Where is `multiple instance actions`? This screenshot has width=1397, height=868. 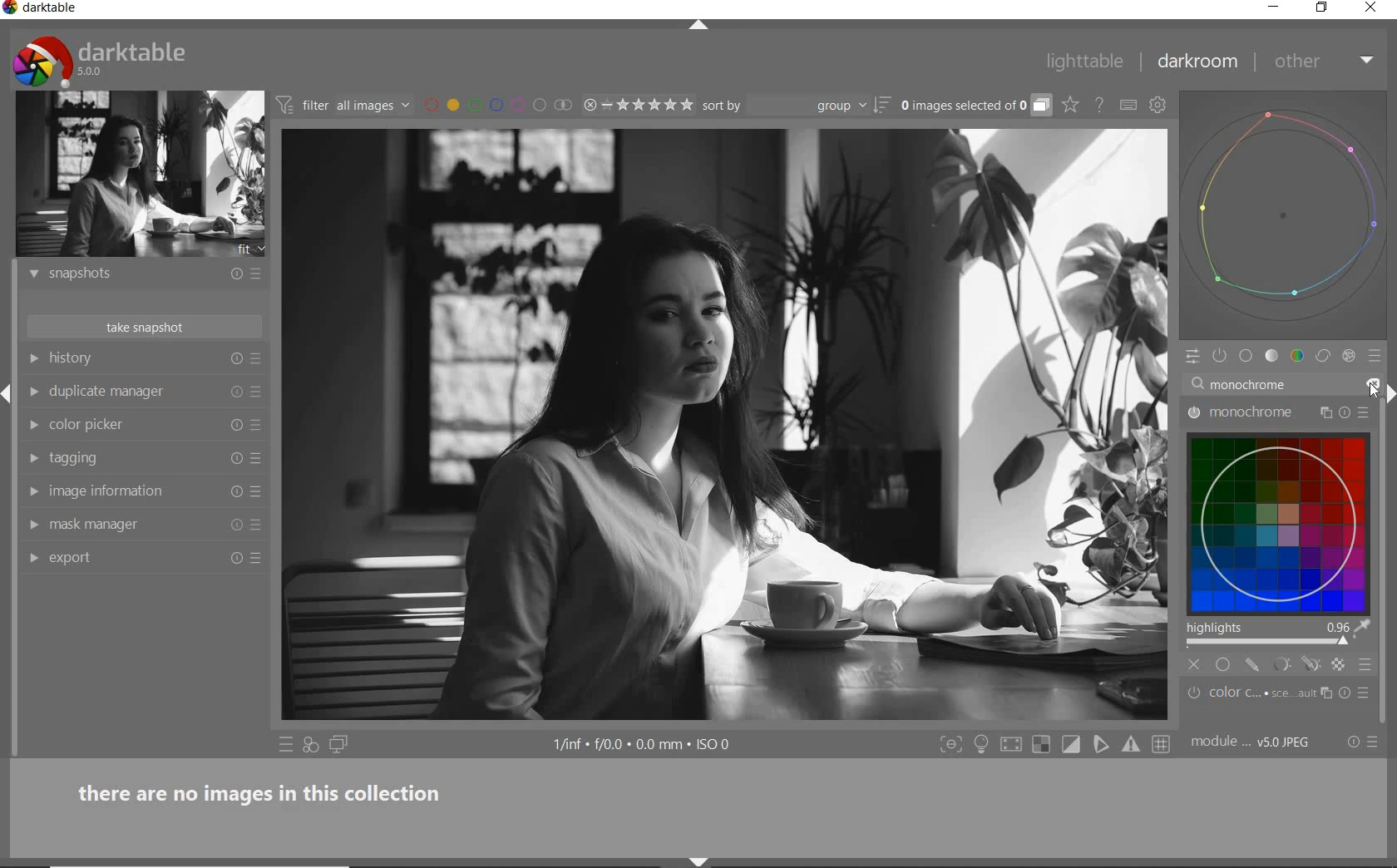
multiple instance actions is located at coordinates (1330, 693).